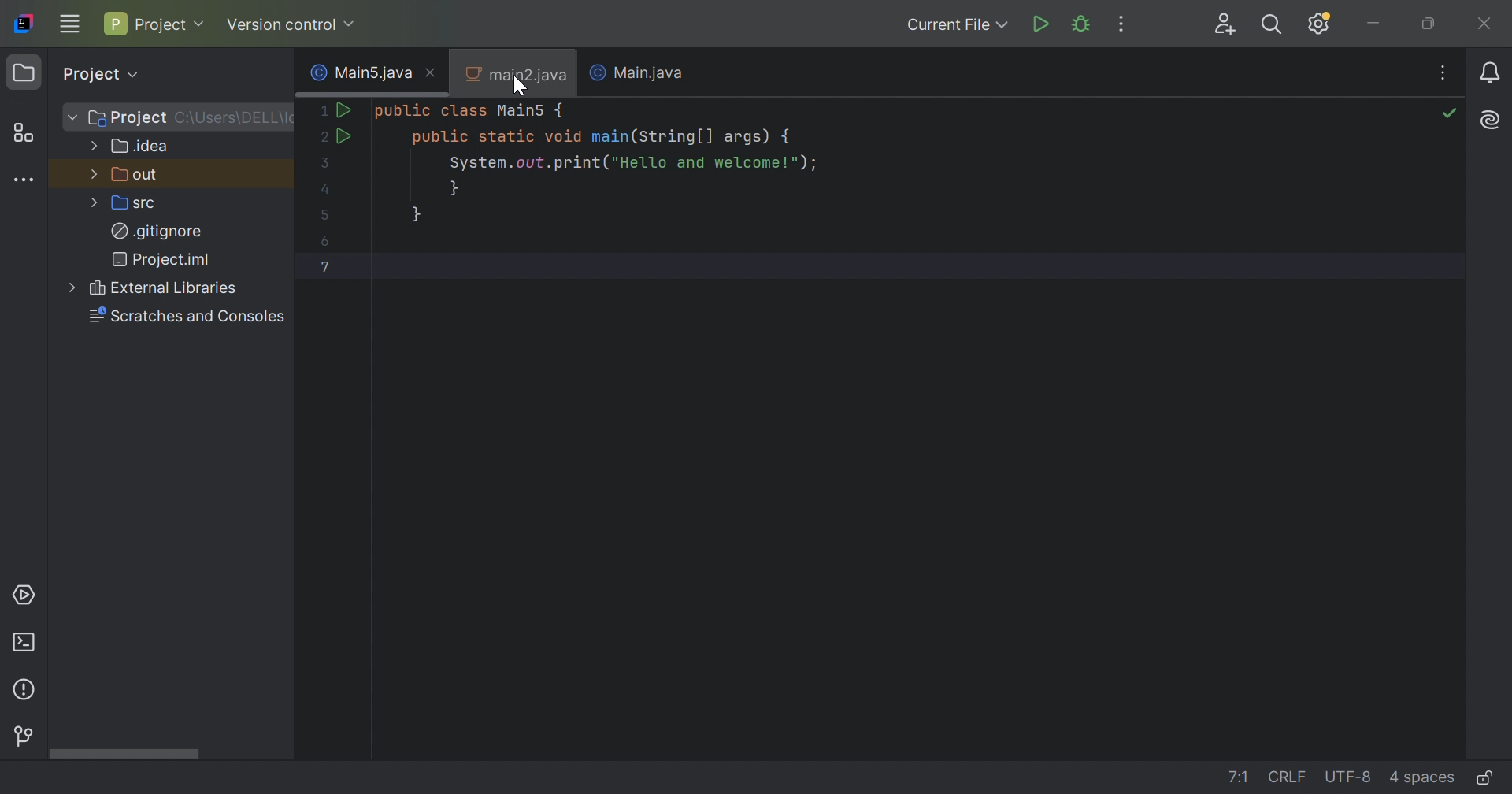 The image size is (1512, 794). Describe the element at coordinates (328, 164) in the screenshot. I see `3` at that location.